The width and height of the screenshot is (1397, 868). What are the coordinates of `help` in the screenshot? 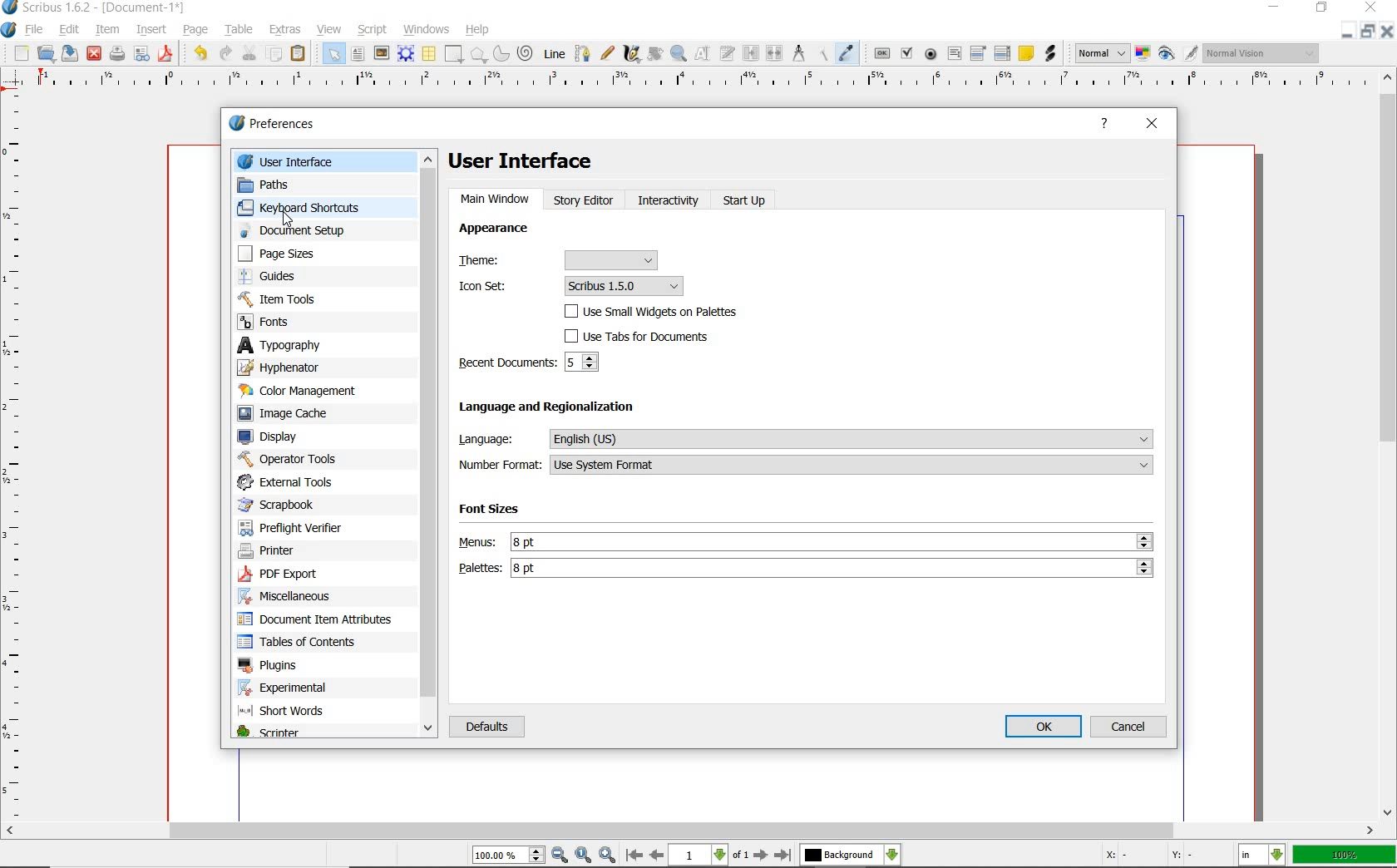 It's located at (478, 31).